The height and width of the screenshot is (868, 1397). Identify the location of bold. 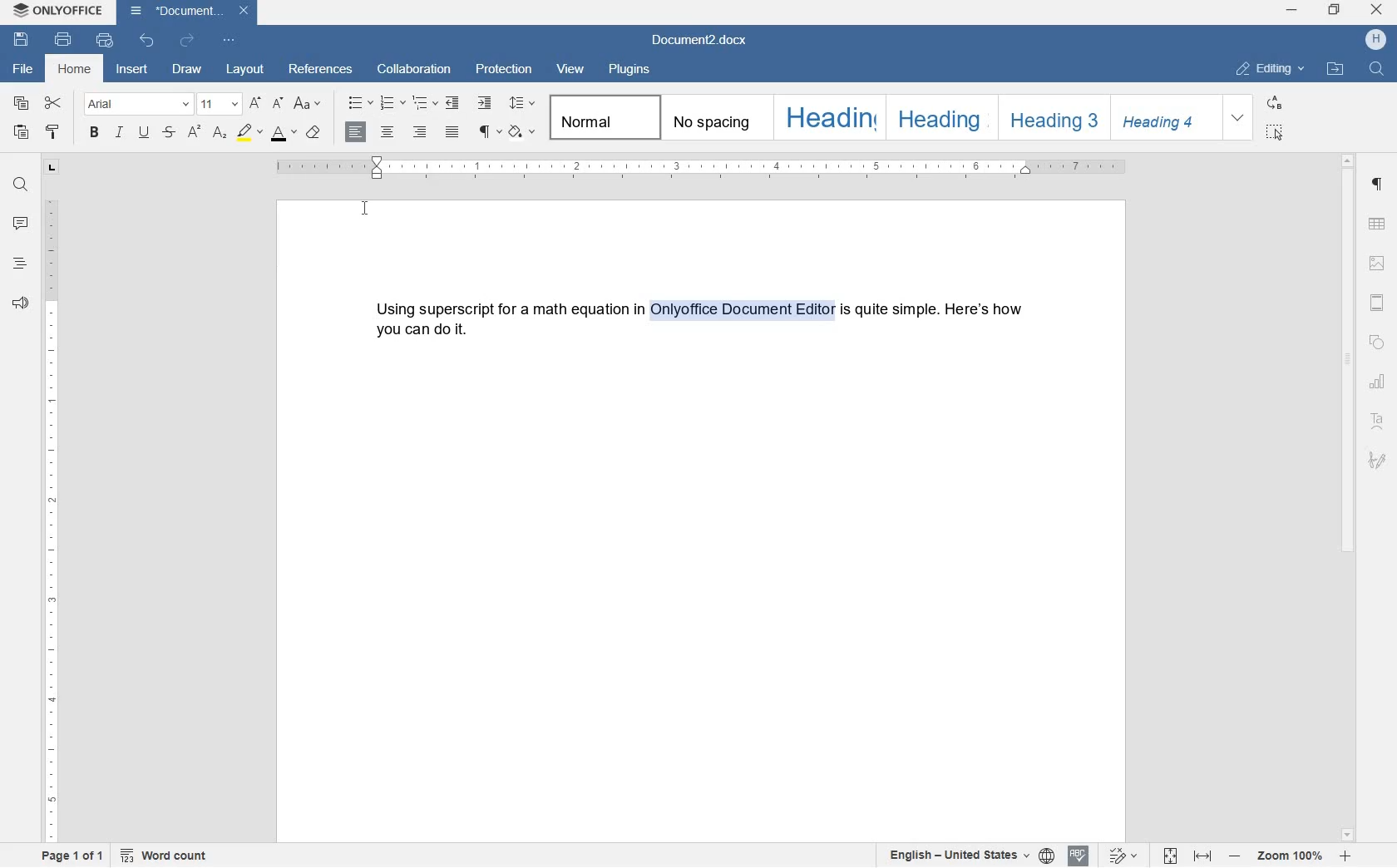
(93, 133).